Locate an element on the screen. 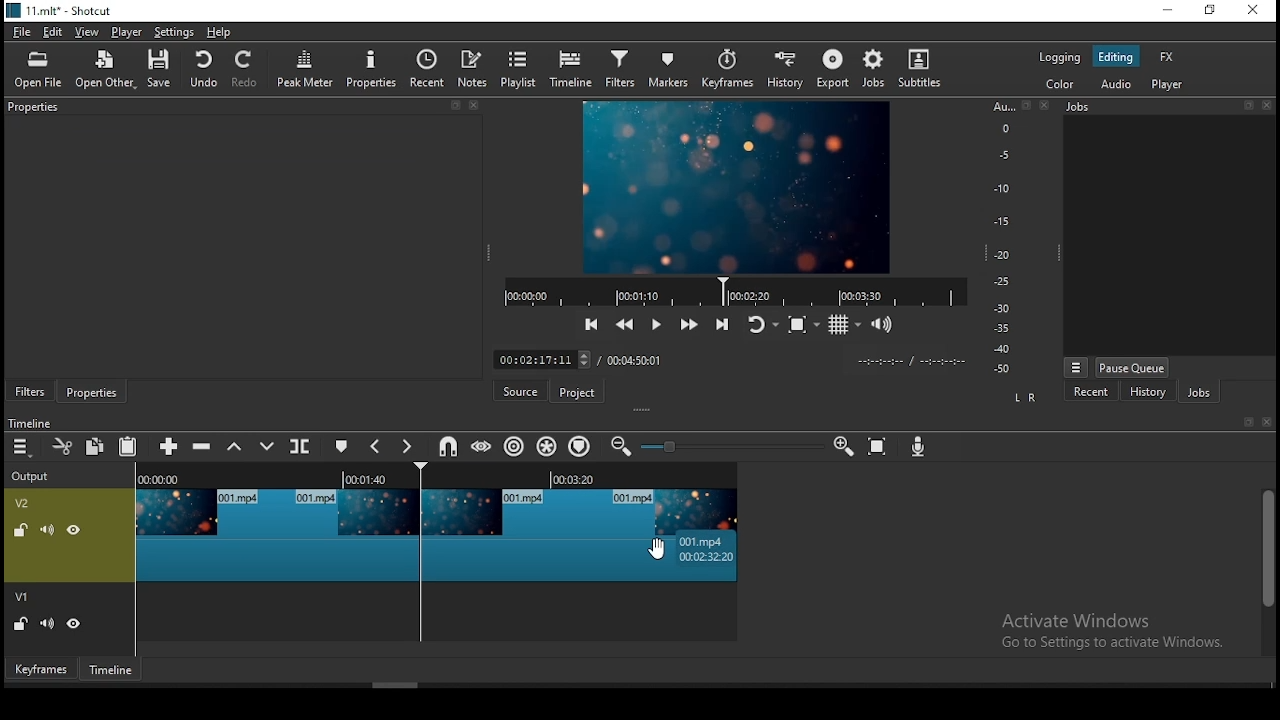 This screenshot has width=1280, height=720. zoom timeline out is located at coordinates (620, 446).